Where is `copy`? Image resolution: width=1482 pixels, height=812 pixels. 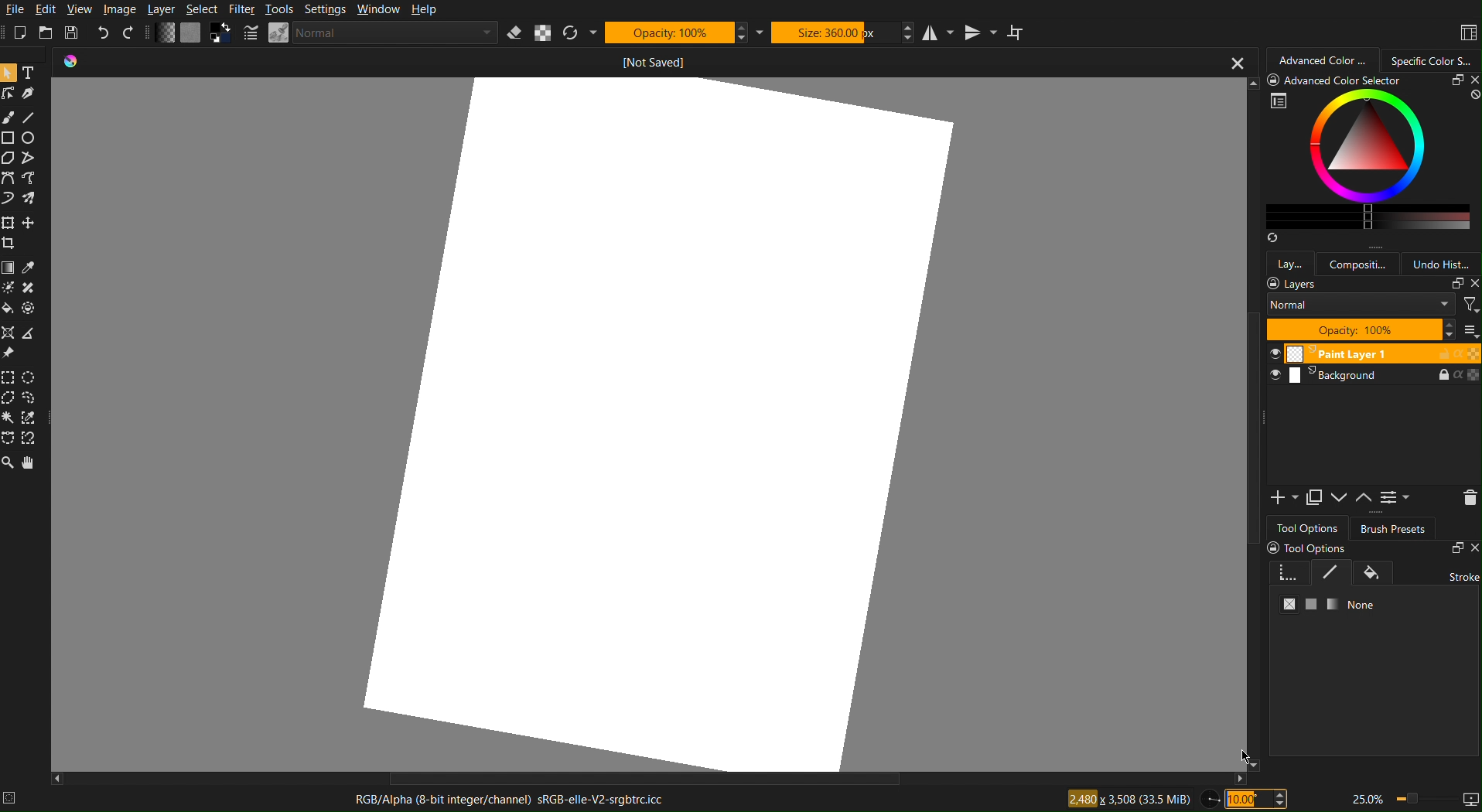
copy is located at coordinates (1455, 285).